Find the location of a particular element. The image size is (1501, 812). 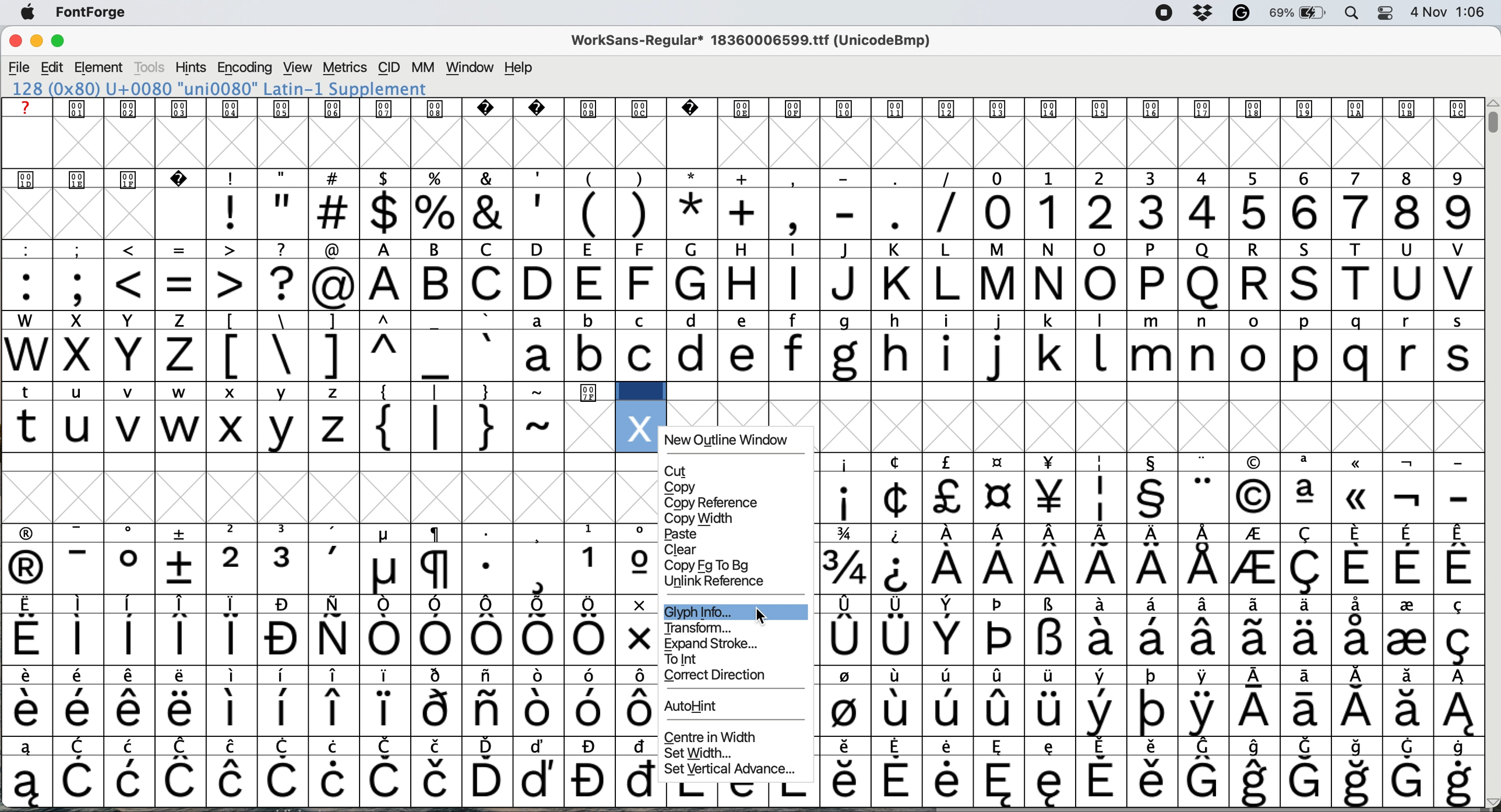

special characters and text is located at coordinates (747, 178).